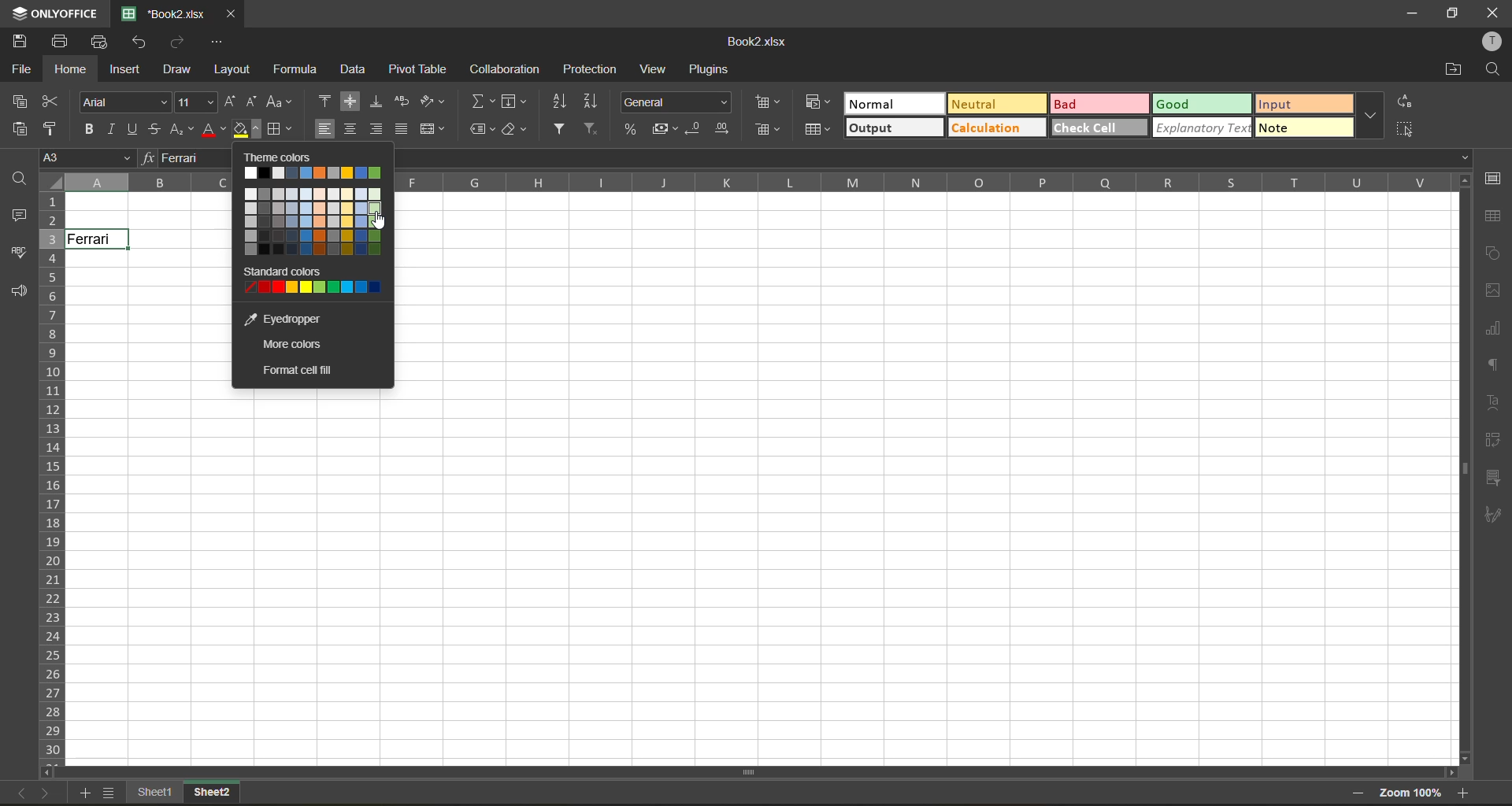 This screenshot has height=806, width=1512. What do you see at coordinates (100, 43) in the screenshot?
I see `quick print` at bounding box center [100, 43].